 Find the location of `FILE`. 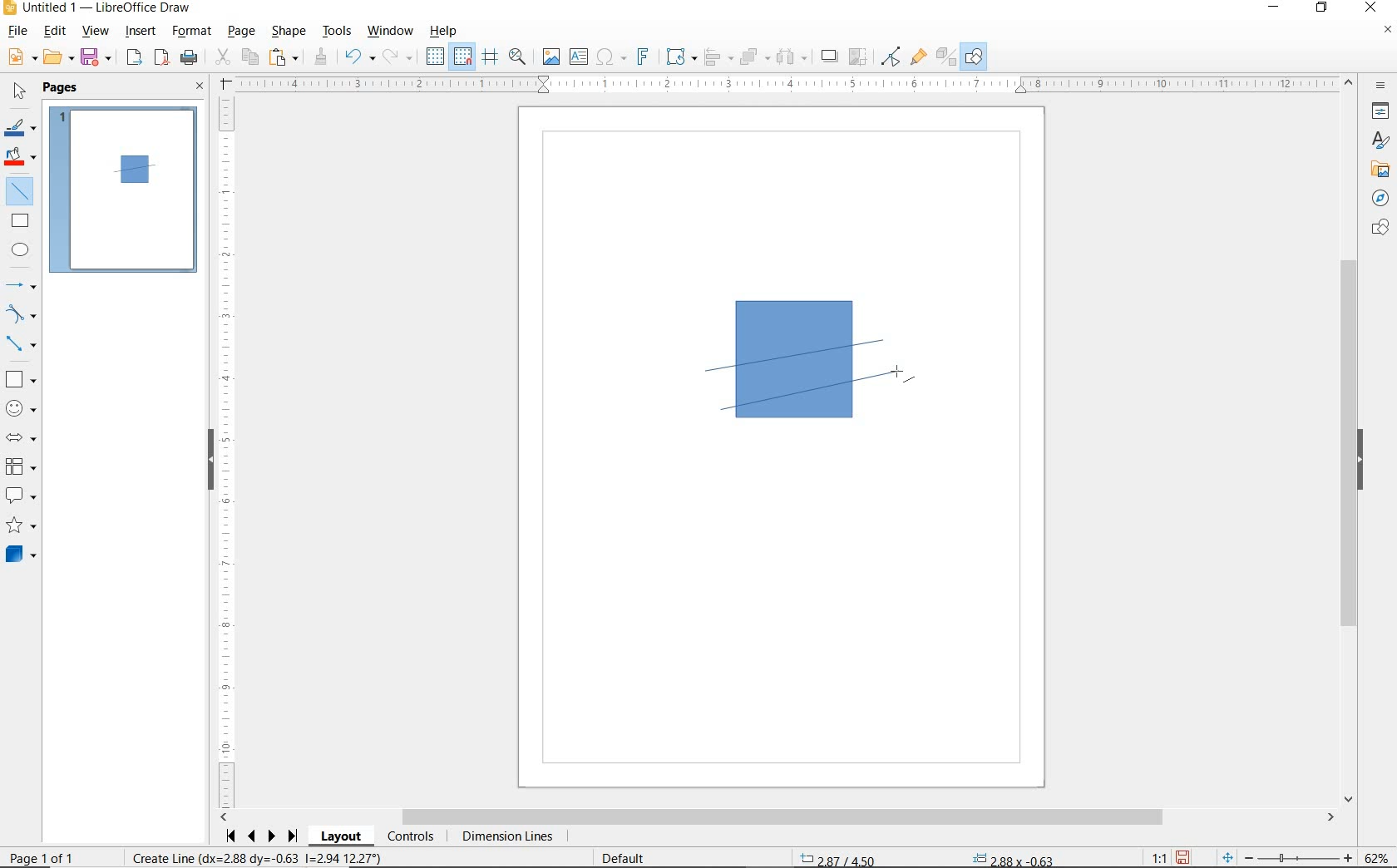

FILE is located at coordinates (16, 32).